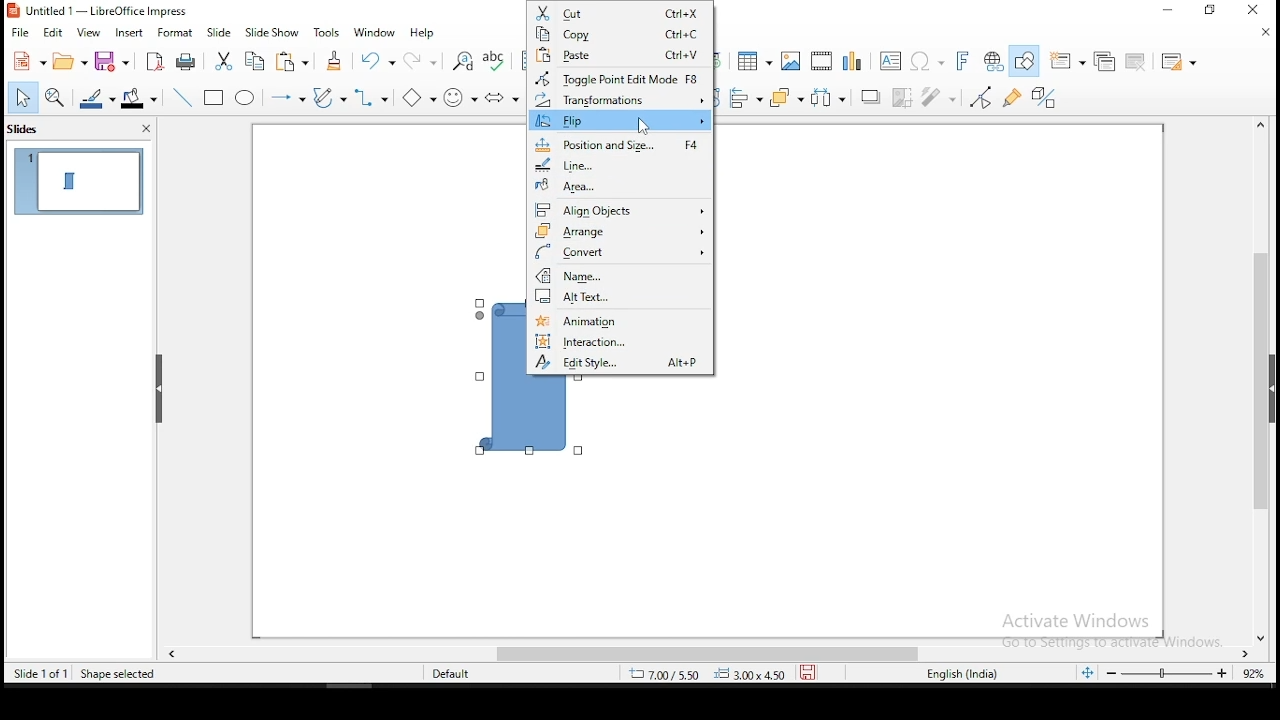 The image size is (1280, 720). Describe the element at coordinates (451, 675) in the screenshot. I see `default` at that location.